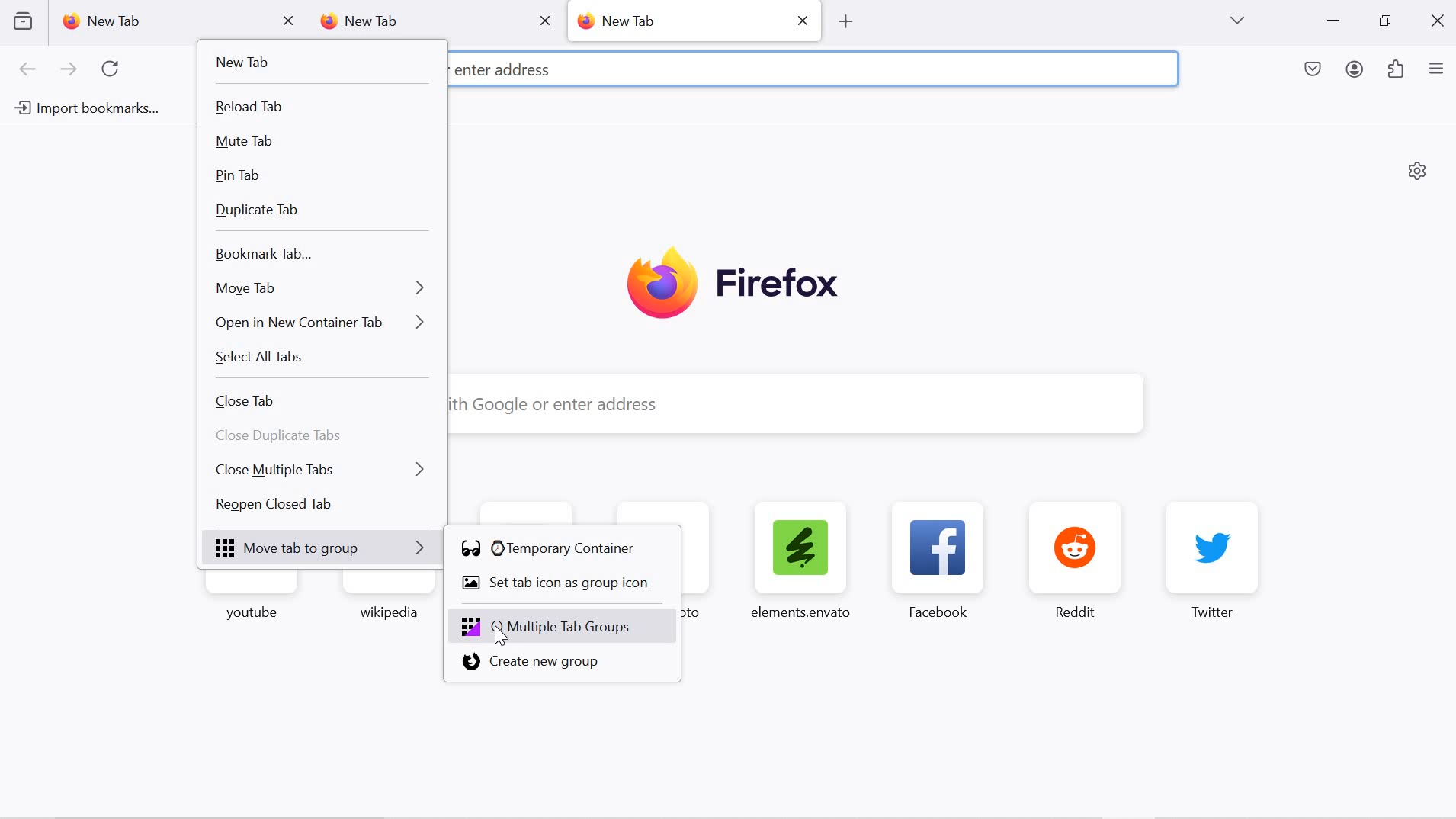  Describe the element at coordinates (386, 602) in the screenshot. I see `wikipedia favorite` at that location.